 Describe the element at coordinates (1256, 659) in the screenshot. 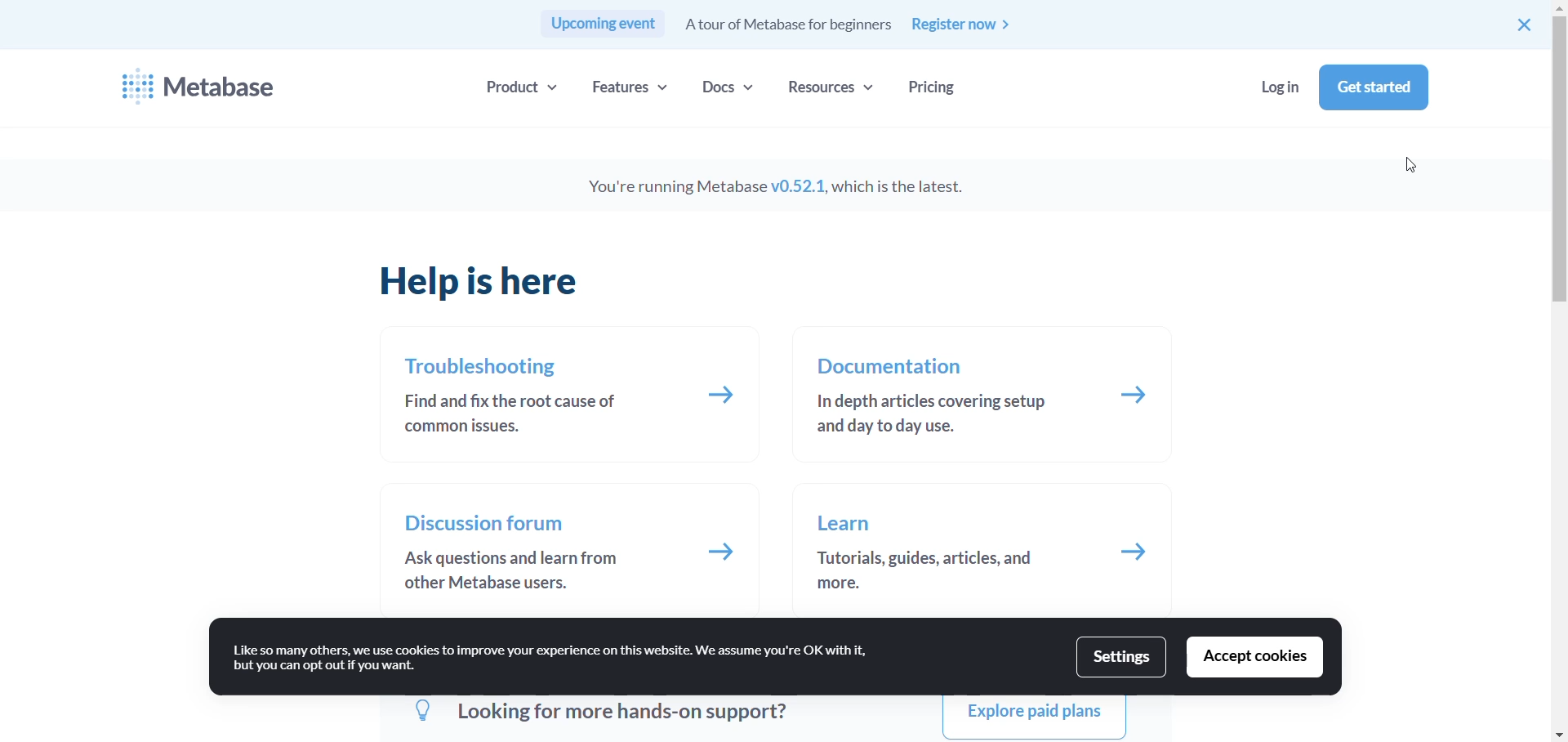

I see `accept cookies` at that location.